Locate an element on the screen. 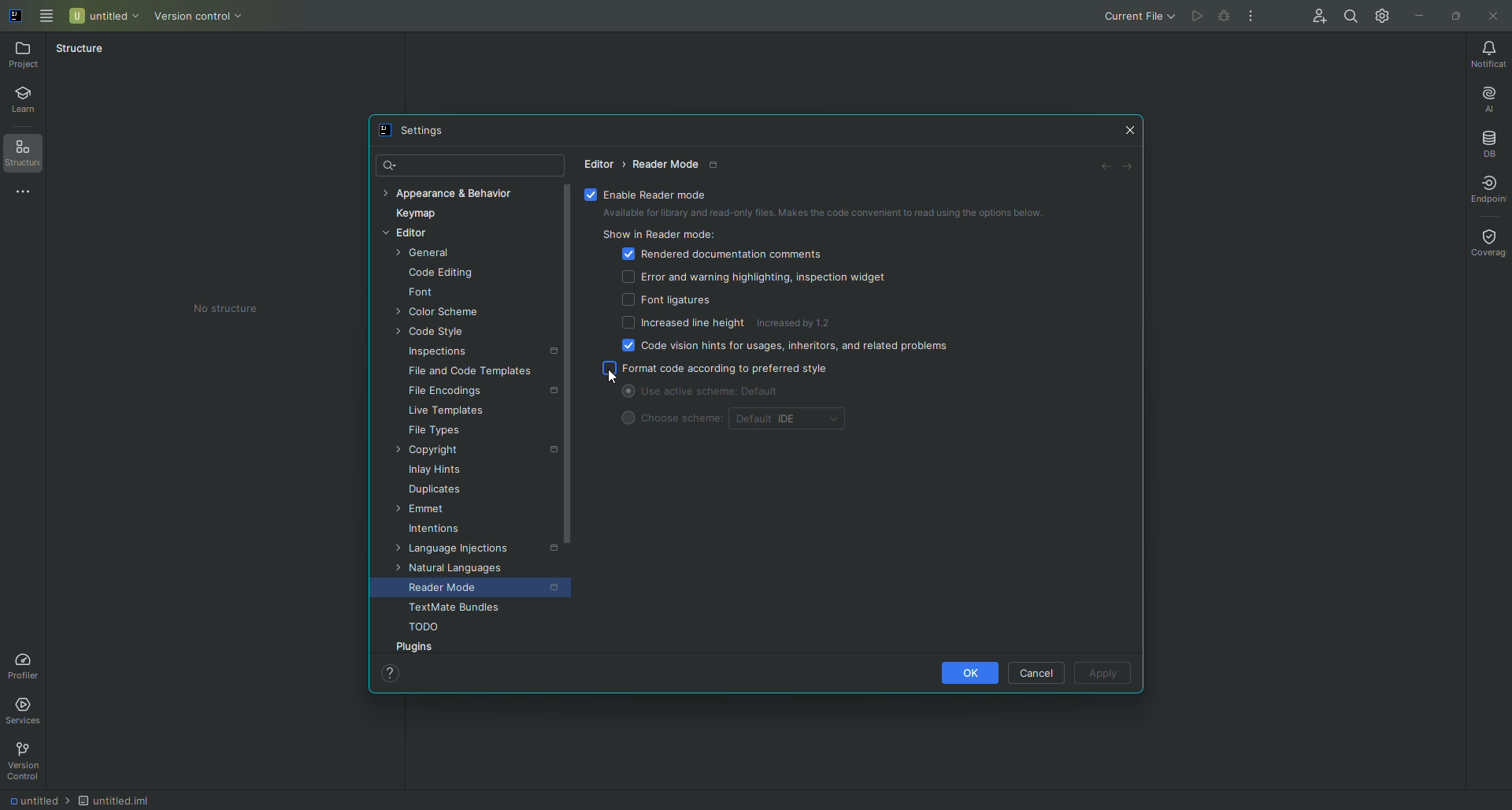  More Actions is located at coordinates (1252, 17).